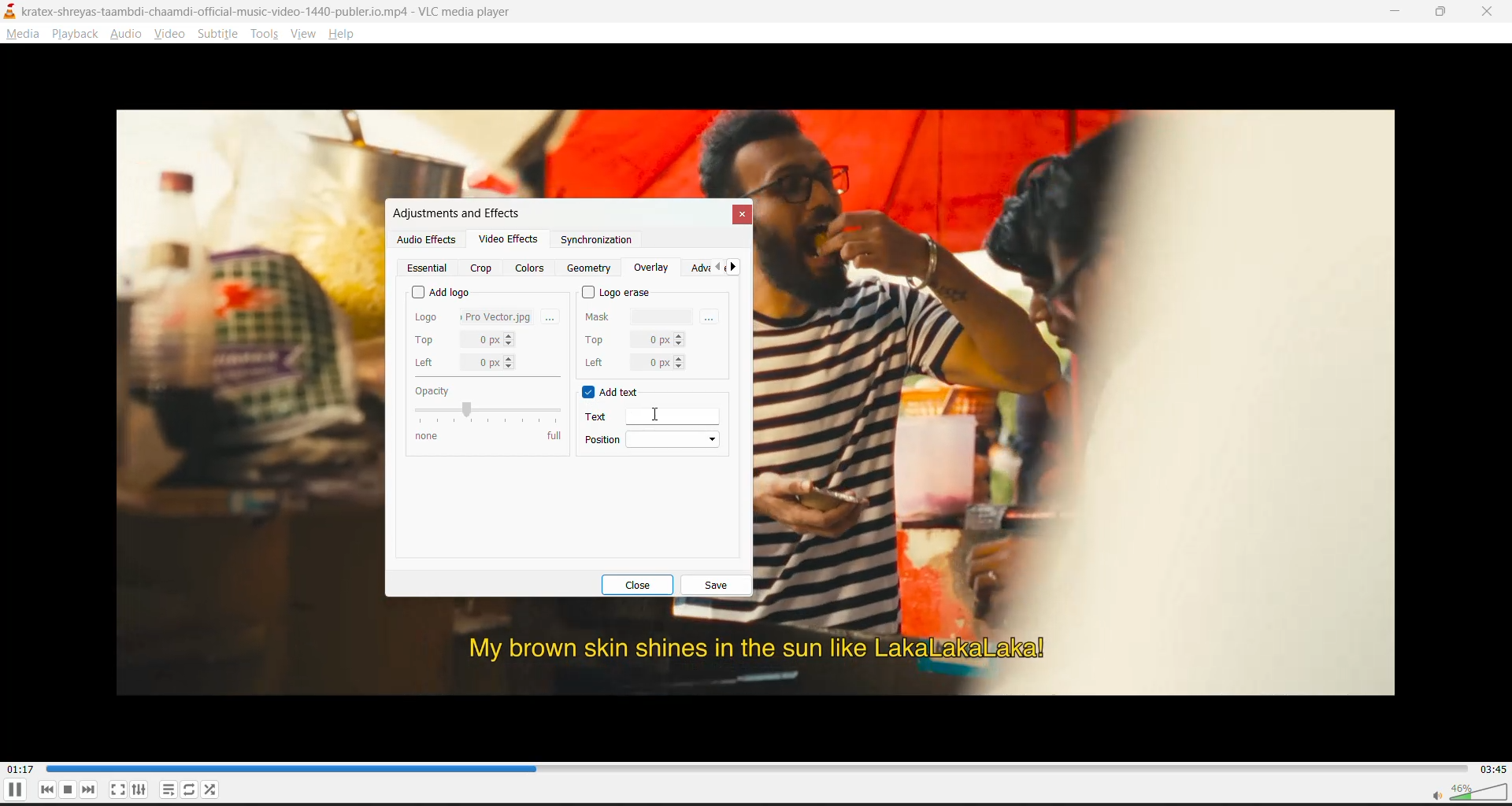 The width and height of the screenshot is (1512, 806). What do you see at coordinates (75, 34) in the screenshot?
I see `playback` at bounding box center [75, 34].